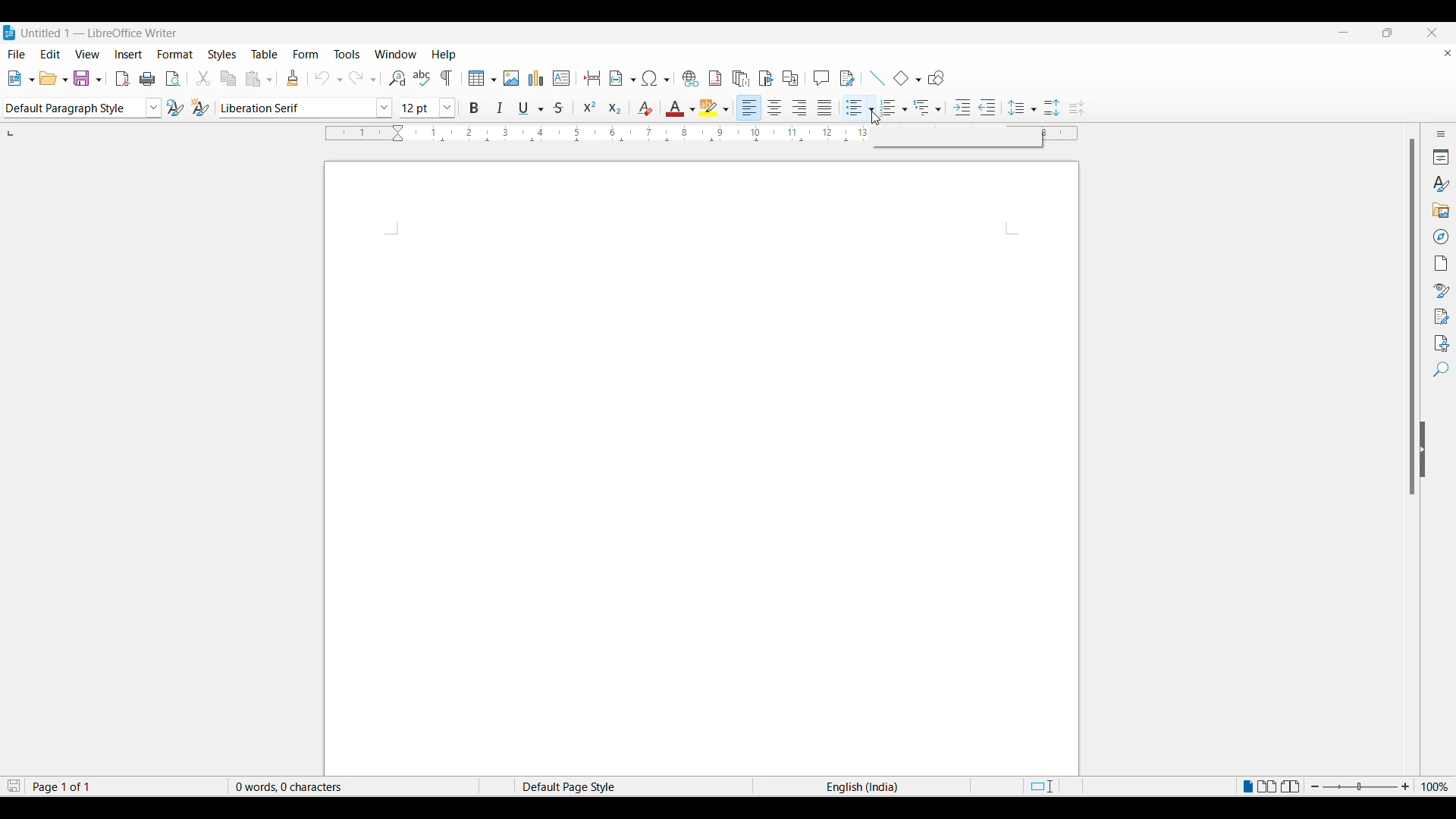 The image size is (1456, 819). What do you see at coordinates (822, 78) in the screenshot?
I see `comment` at bounding box center [822, 78].